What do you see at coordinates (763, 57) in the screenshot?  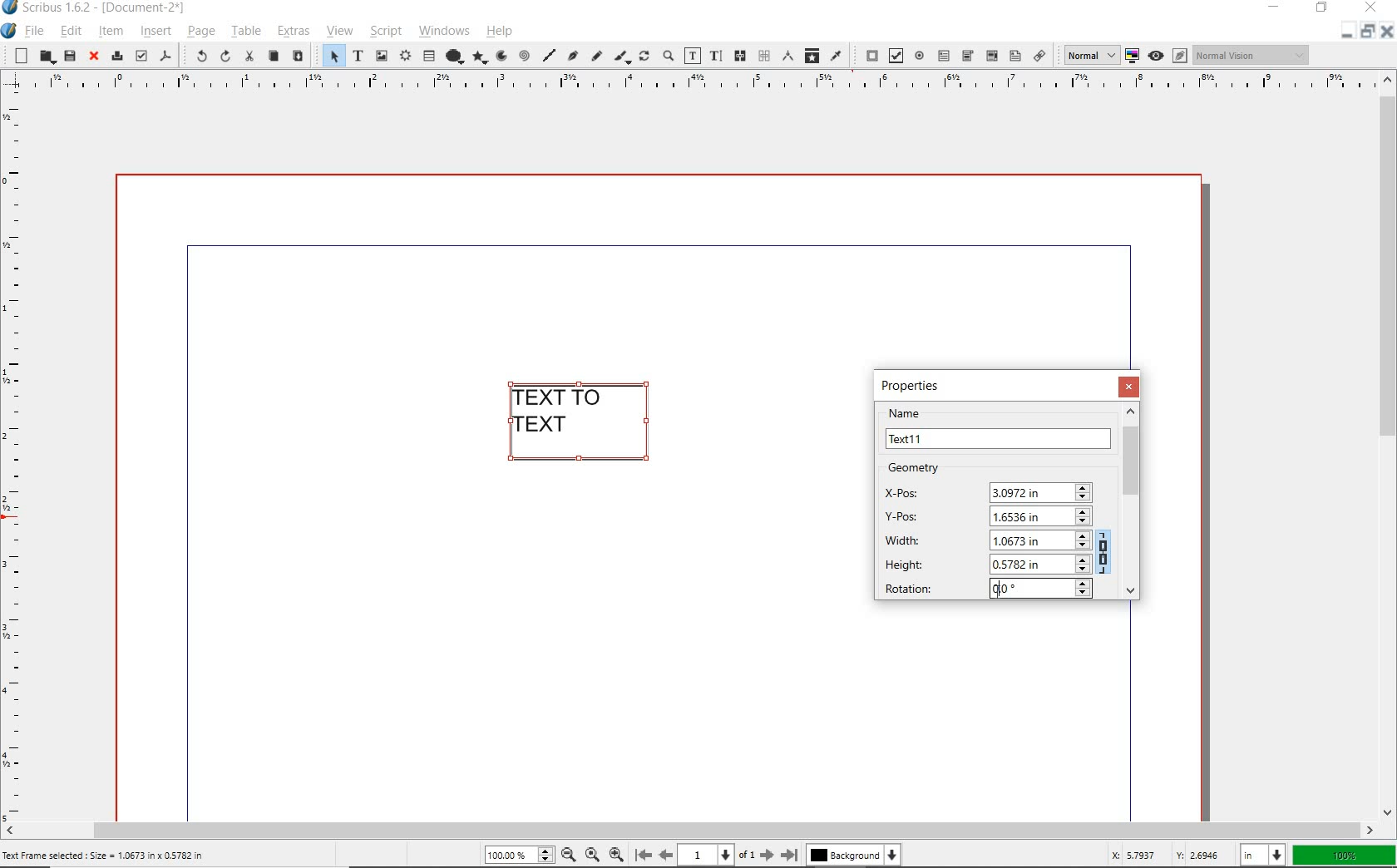 I see `unlink text frames` at bounding box center [763, 57].